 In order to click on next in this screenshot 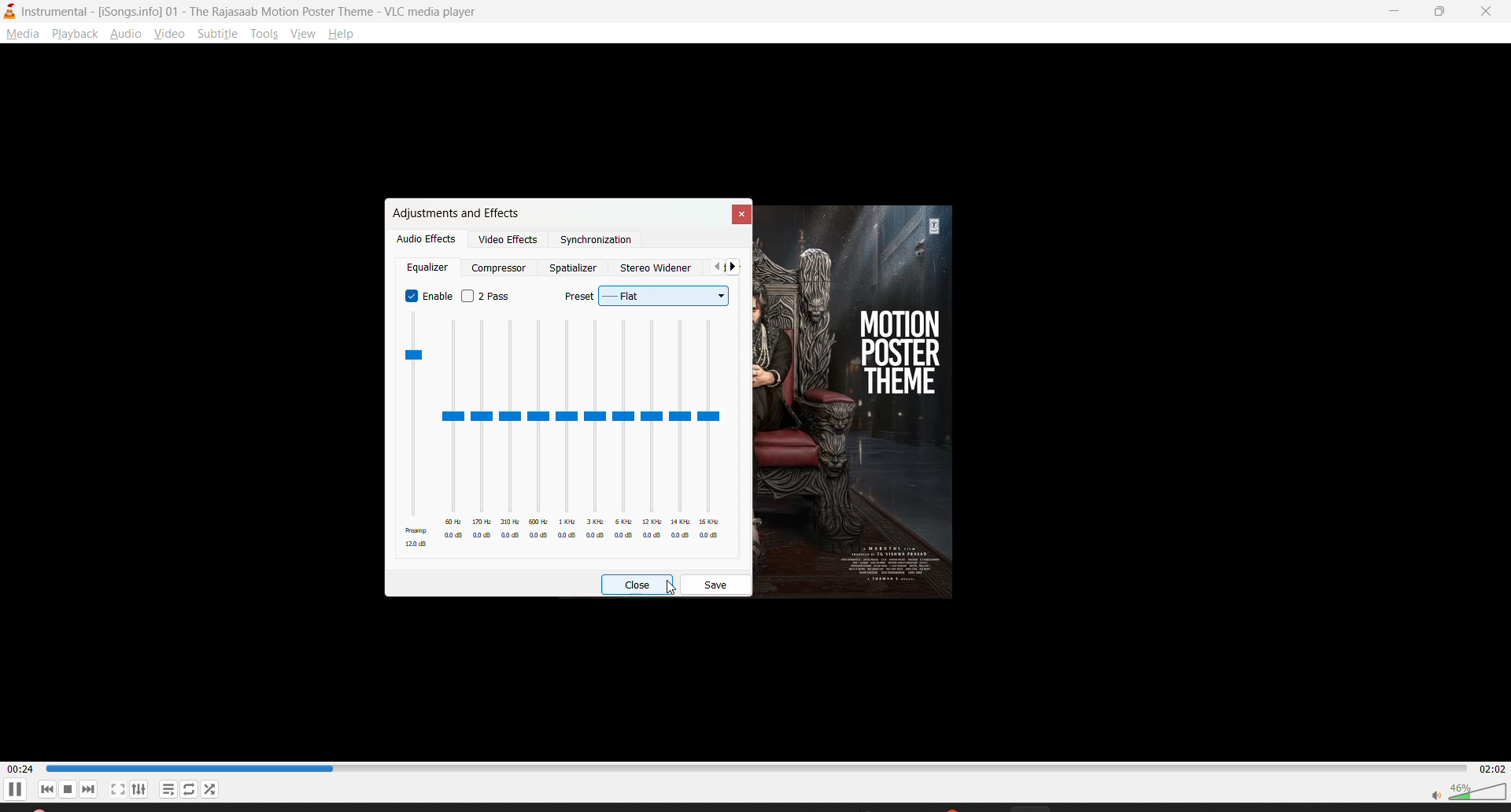, I will do `click(92, 790)`.